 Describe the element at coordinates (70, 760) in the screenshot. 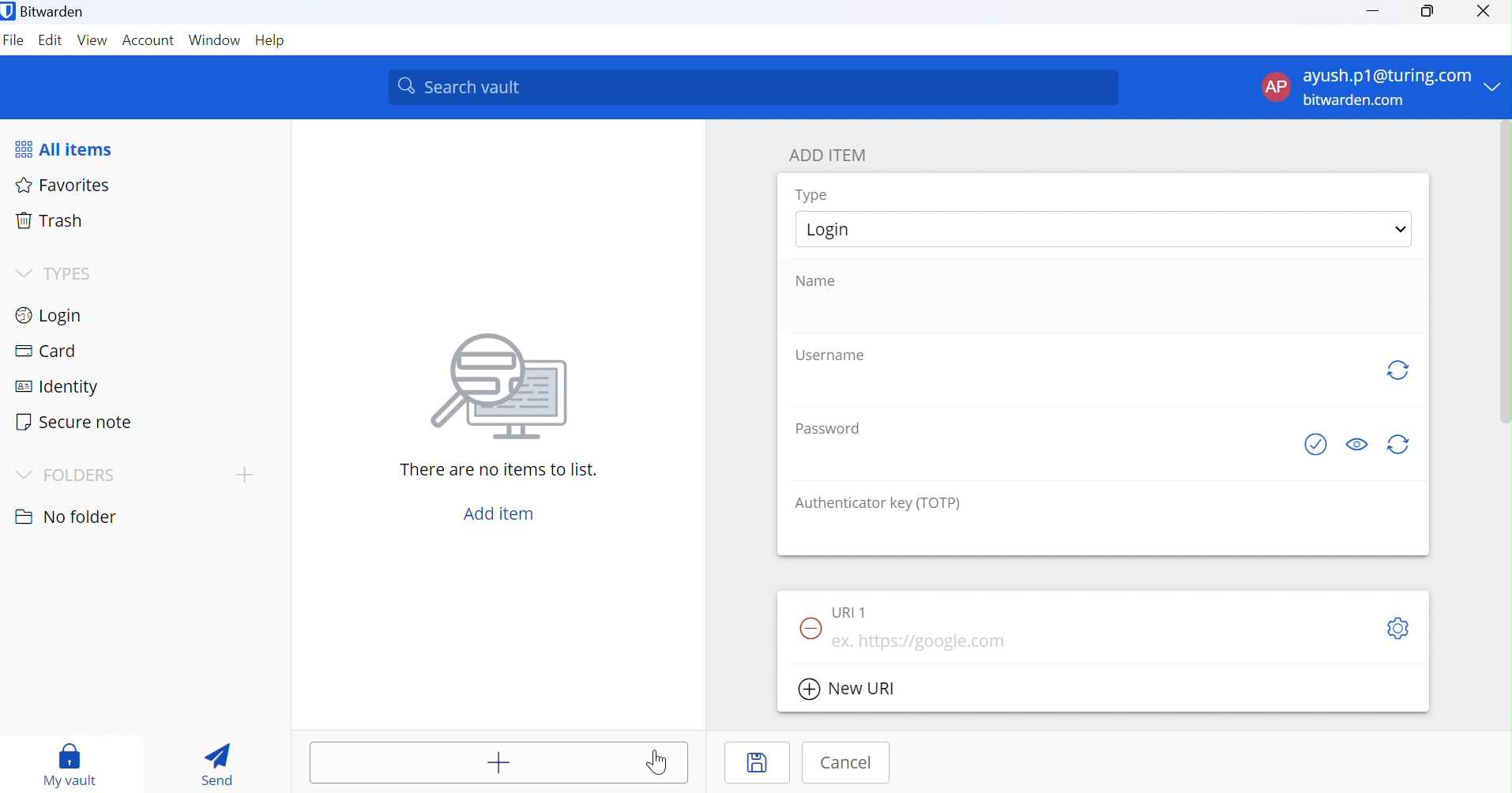

I see `My vault` at that location.